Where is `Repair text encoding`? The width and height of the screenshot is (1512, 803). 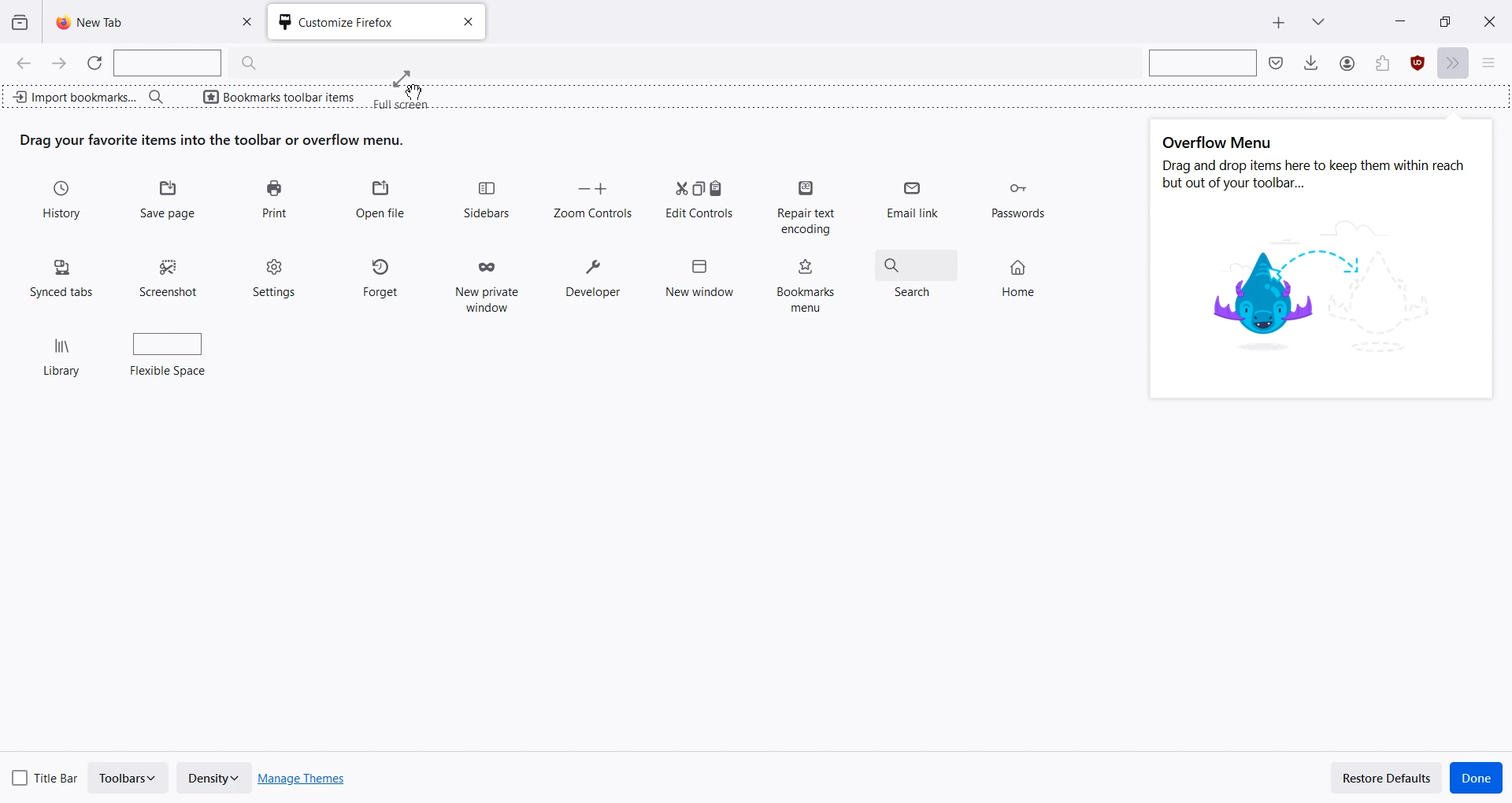 Repair text encoding is located at coordinates (805, 205).